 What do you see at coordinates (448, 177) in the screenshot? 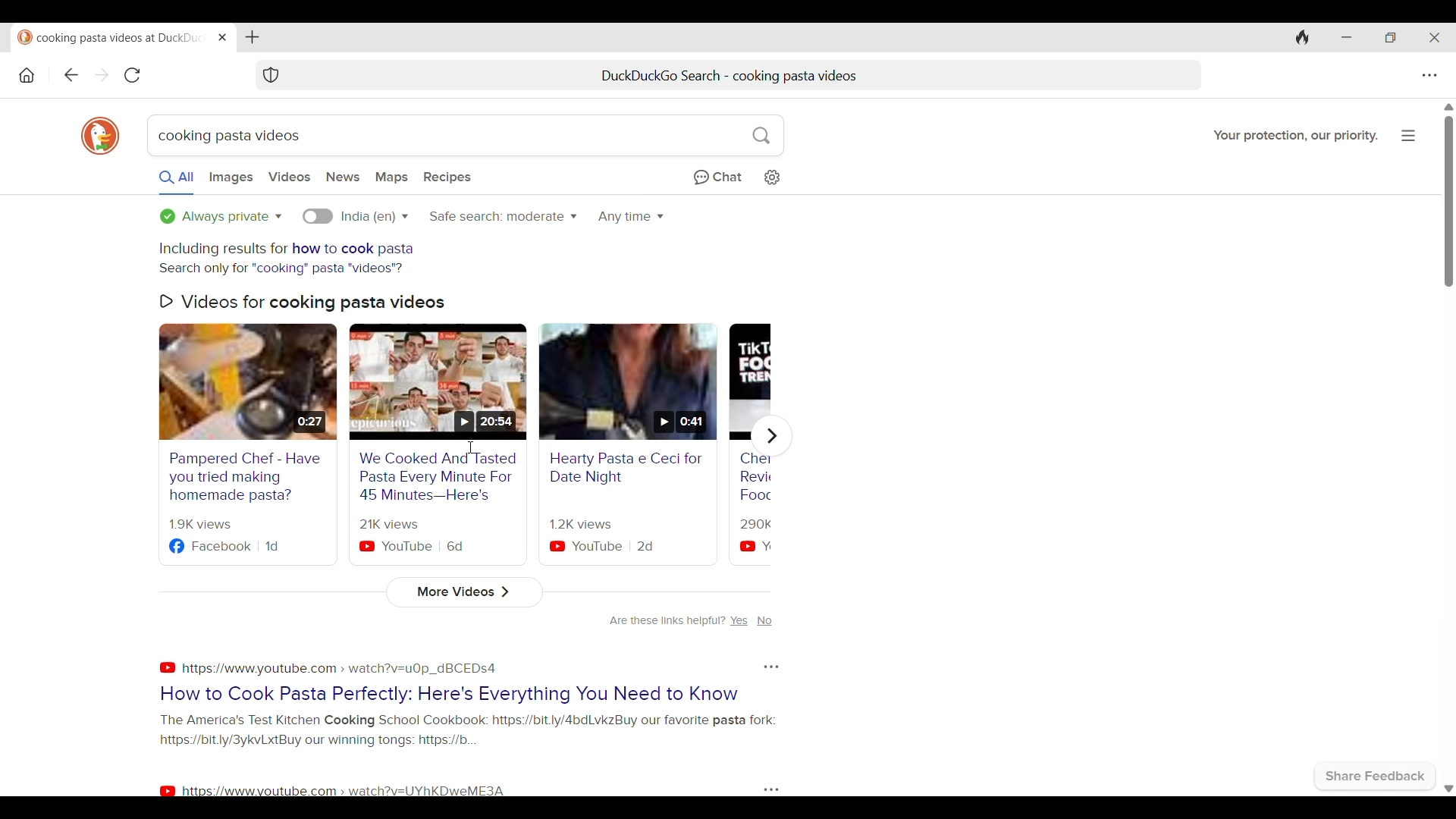
I see `Search result with recipes only` at bounding box center [448, 177].